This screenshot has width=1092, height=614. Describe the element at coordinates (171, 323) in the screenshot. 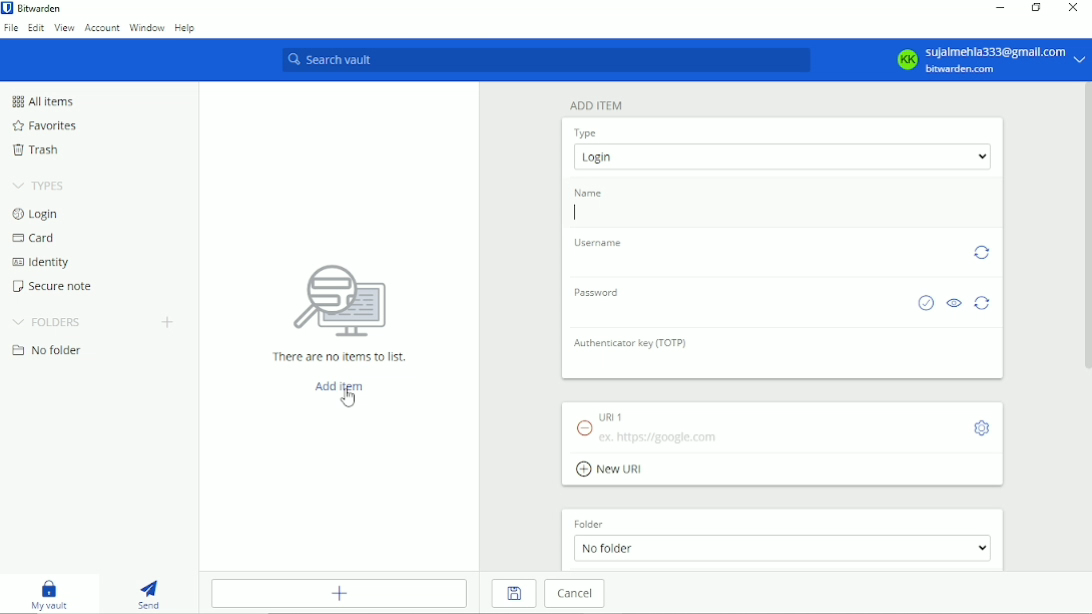

I see `Create folder` at that location.